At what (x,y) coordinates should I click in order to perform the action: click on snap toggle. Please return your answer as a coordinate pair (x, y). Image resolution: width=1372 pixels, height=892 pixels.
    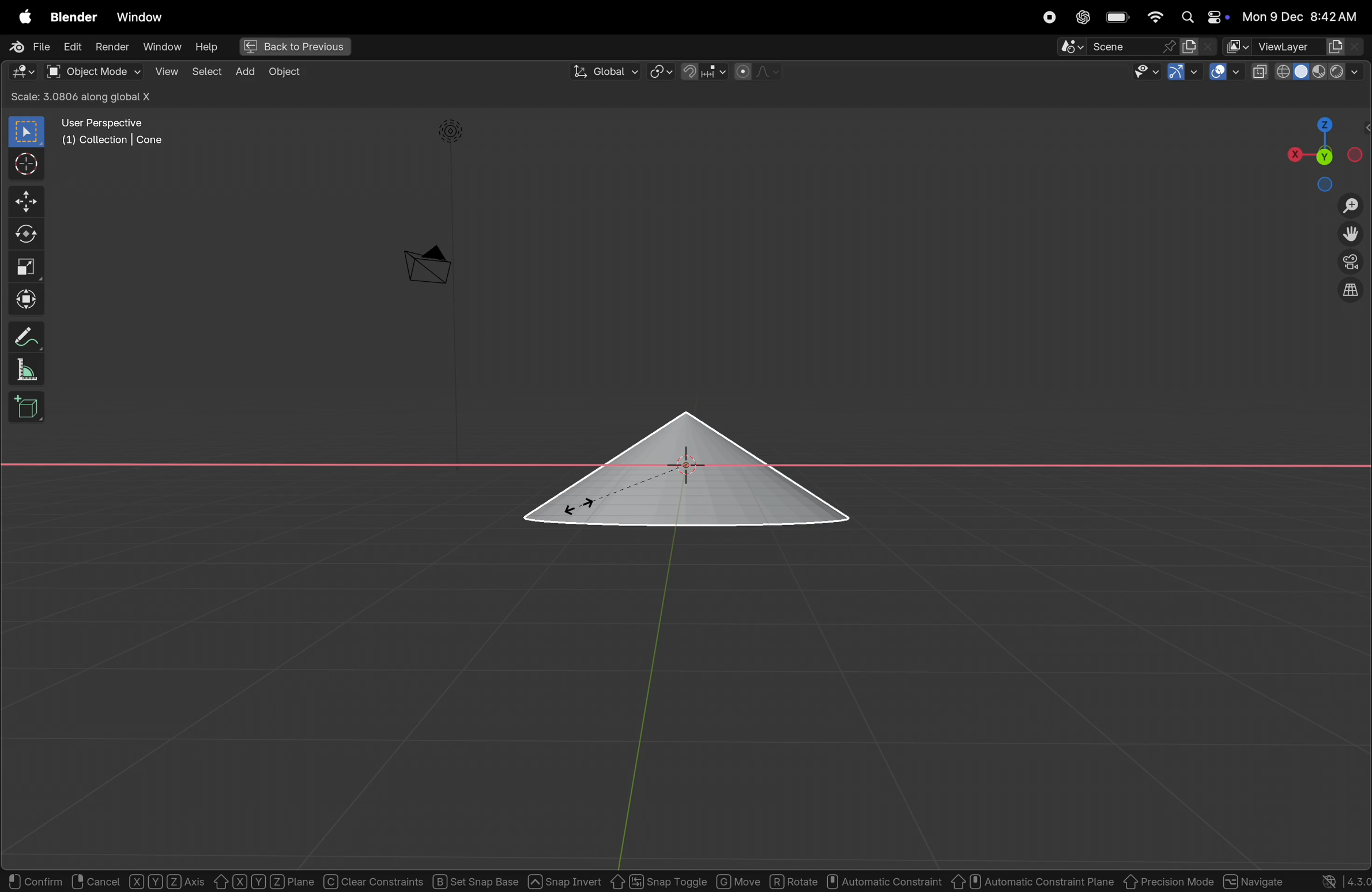
    Looking at the image, I should click on (658, 880).